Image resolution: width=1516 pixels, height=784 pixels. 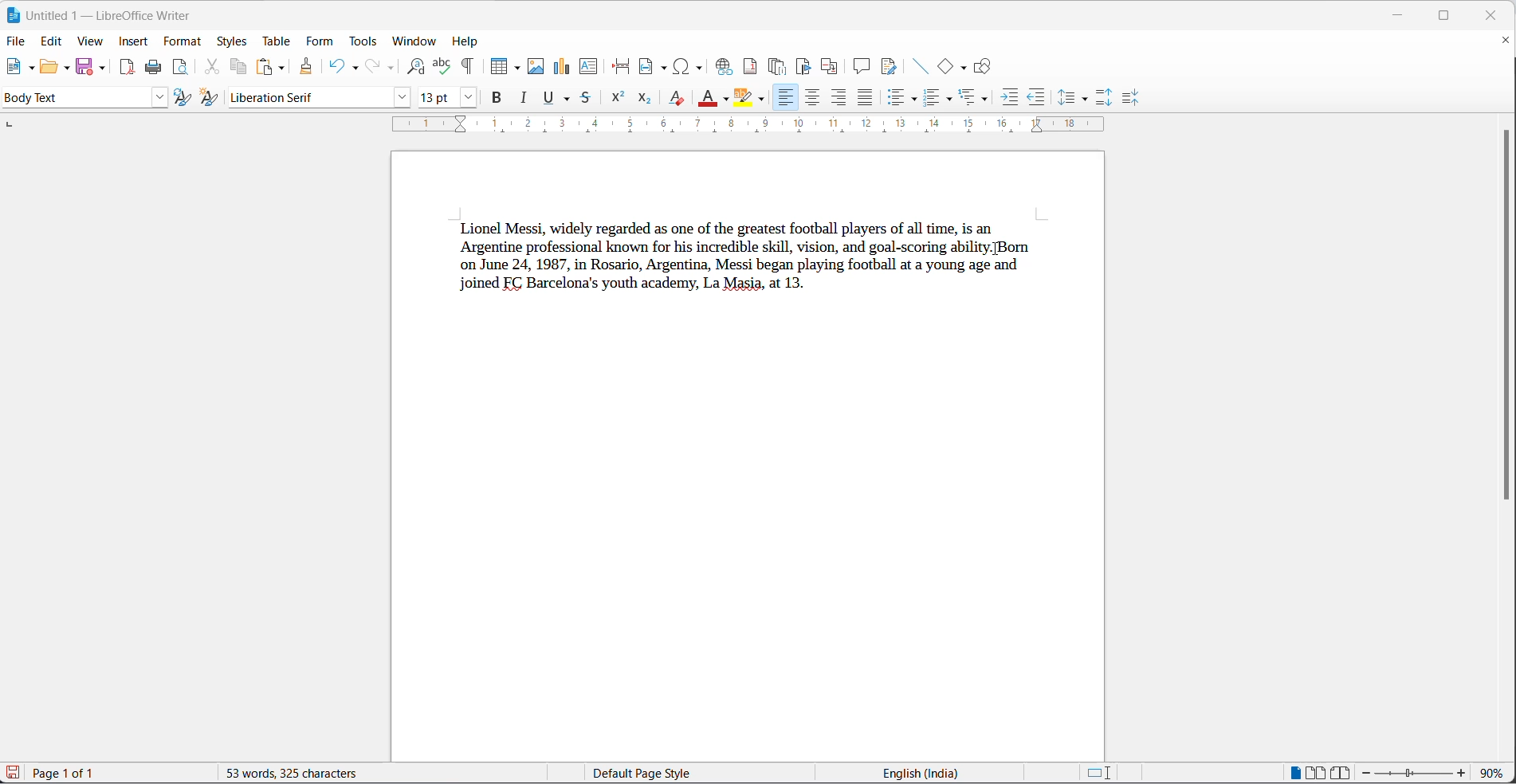 What do you see at coordinates (353, 69) in the screenshot?
I see `undo options` at bounding box center [353, 69].